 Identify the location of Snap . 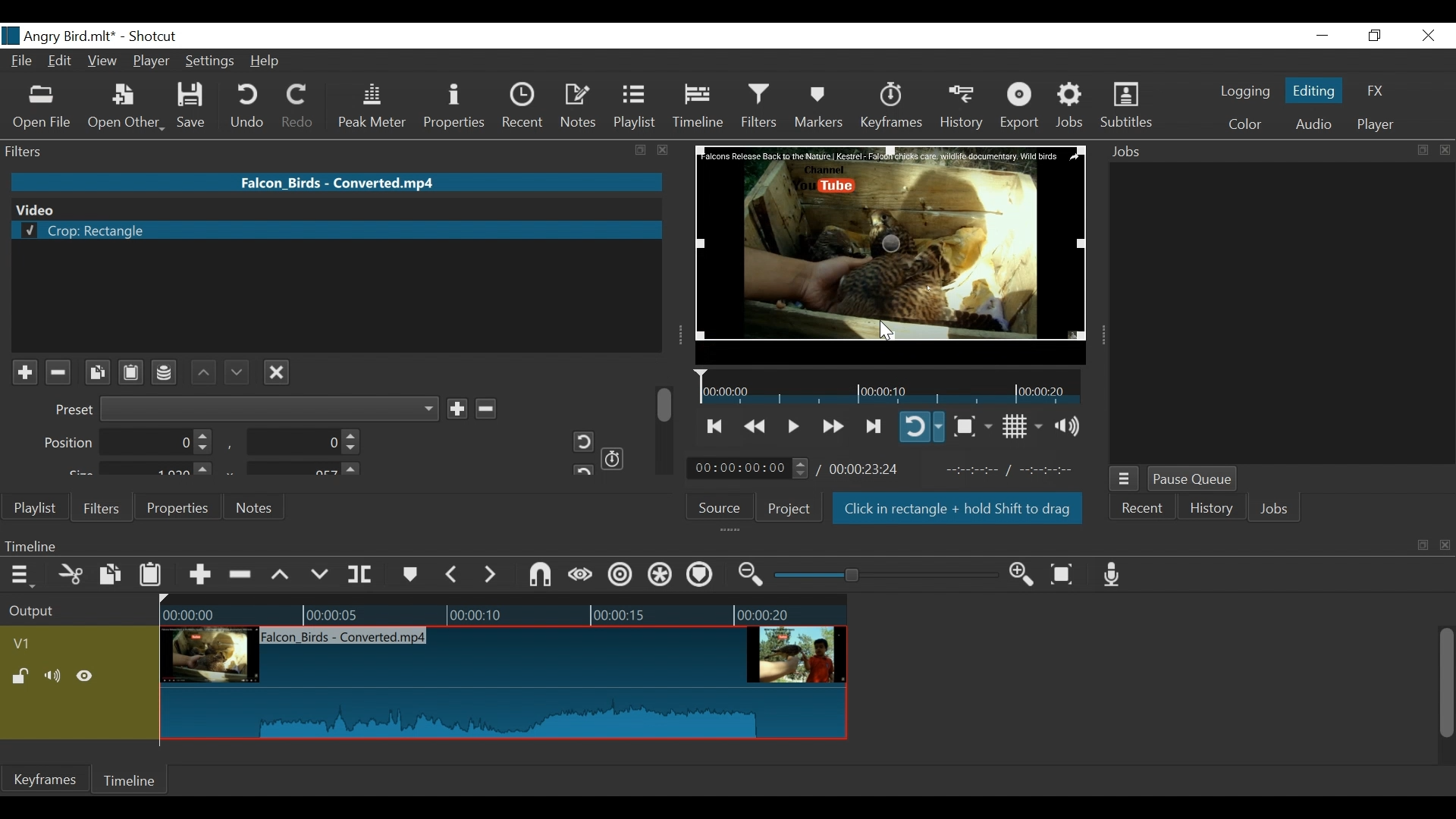
(540, 576).